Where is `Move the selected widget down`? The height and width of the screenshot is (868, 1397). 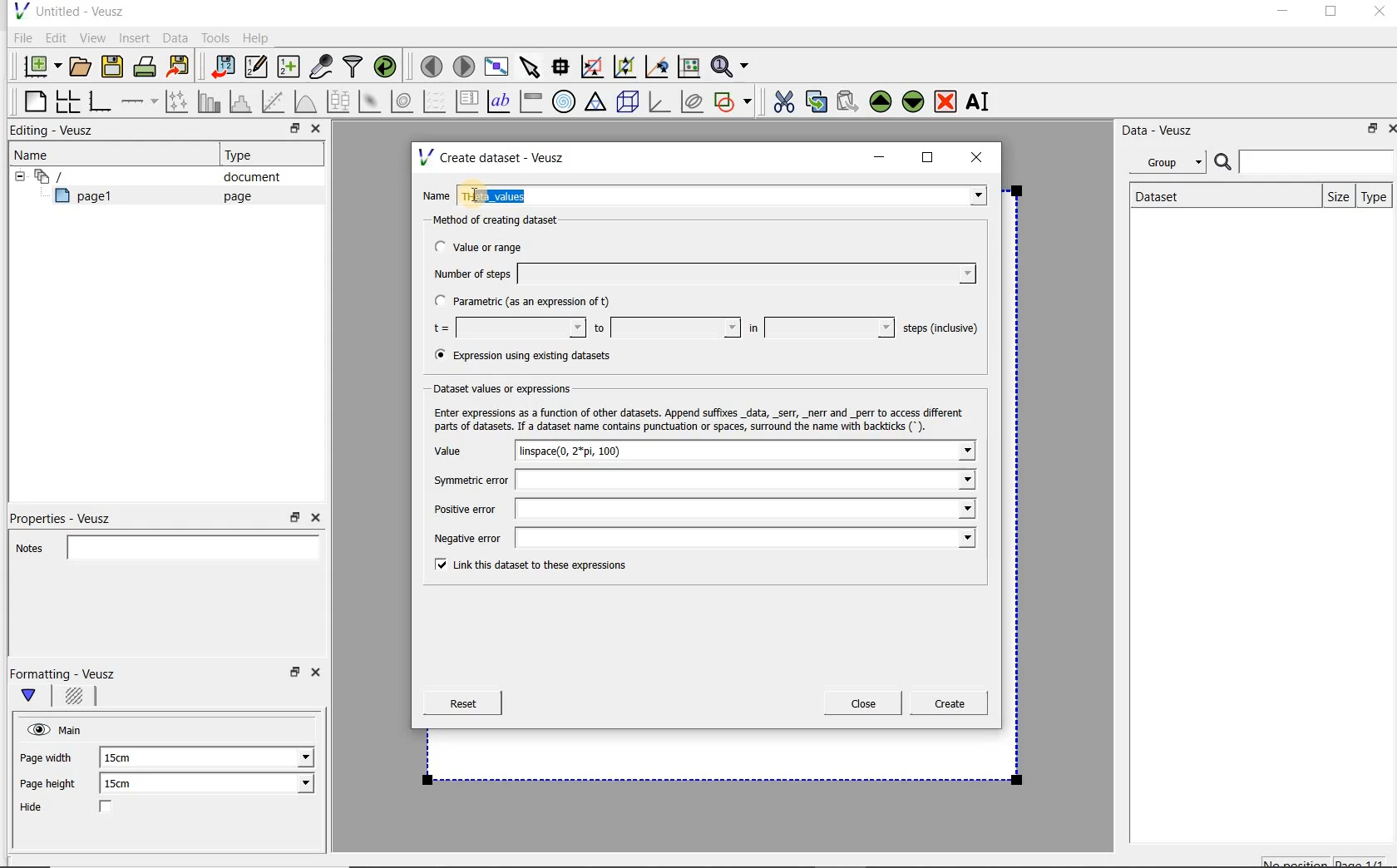
Move the selected widget down is located at coordinates (914, 101).